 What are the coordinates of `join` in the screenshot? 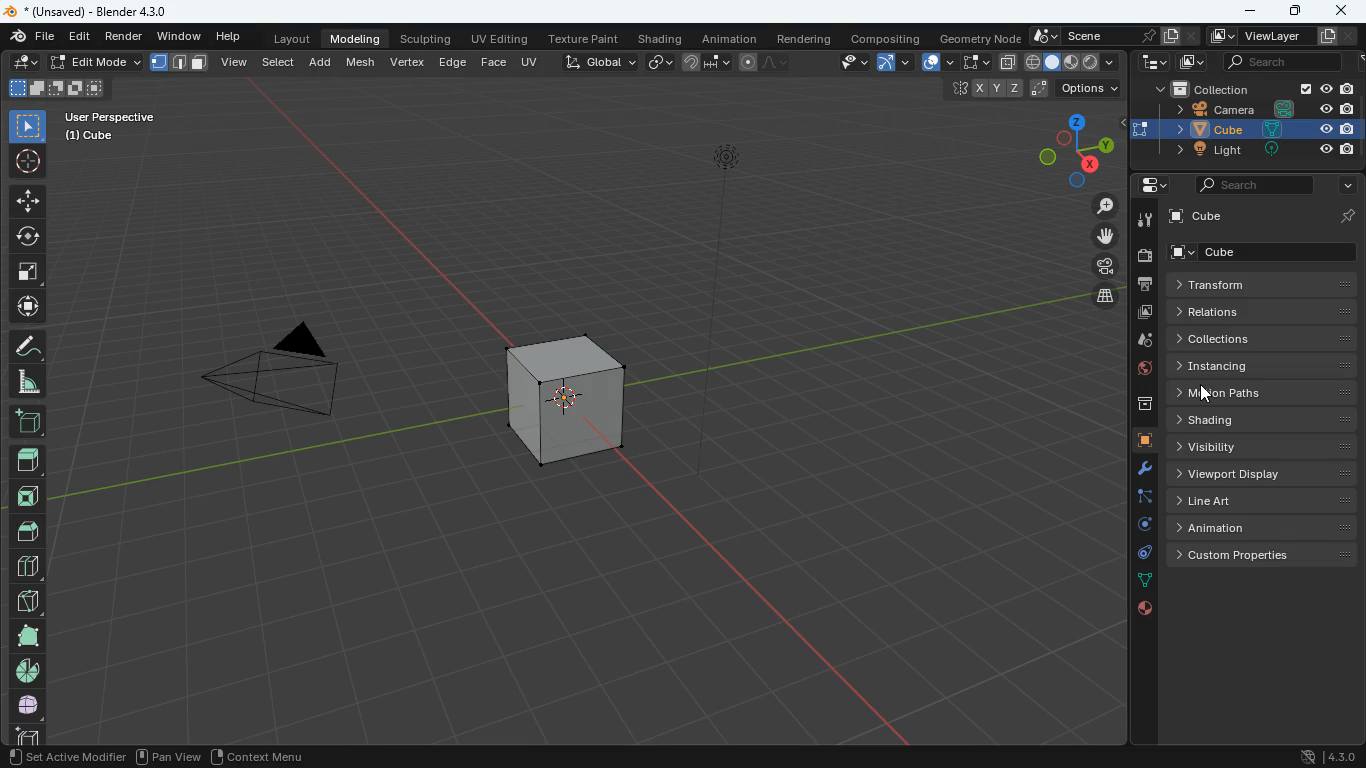 It's located at (707, 63).